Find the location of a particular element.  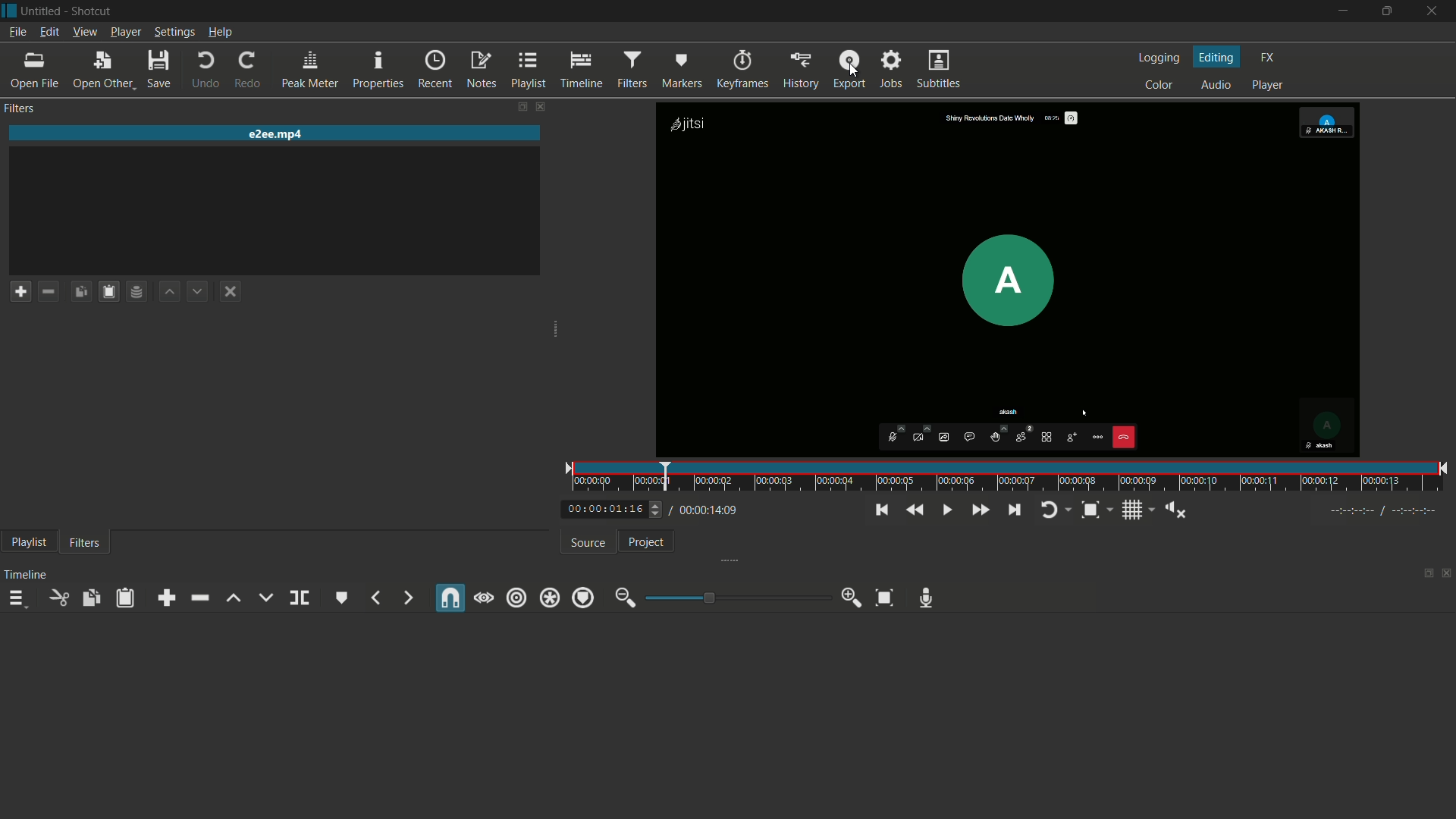

imported file name is located at coordinates (278, 134).